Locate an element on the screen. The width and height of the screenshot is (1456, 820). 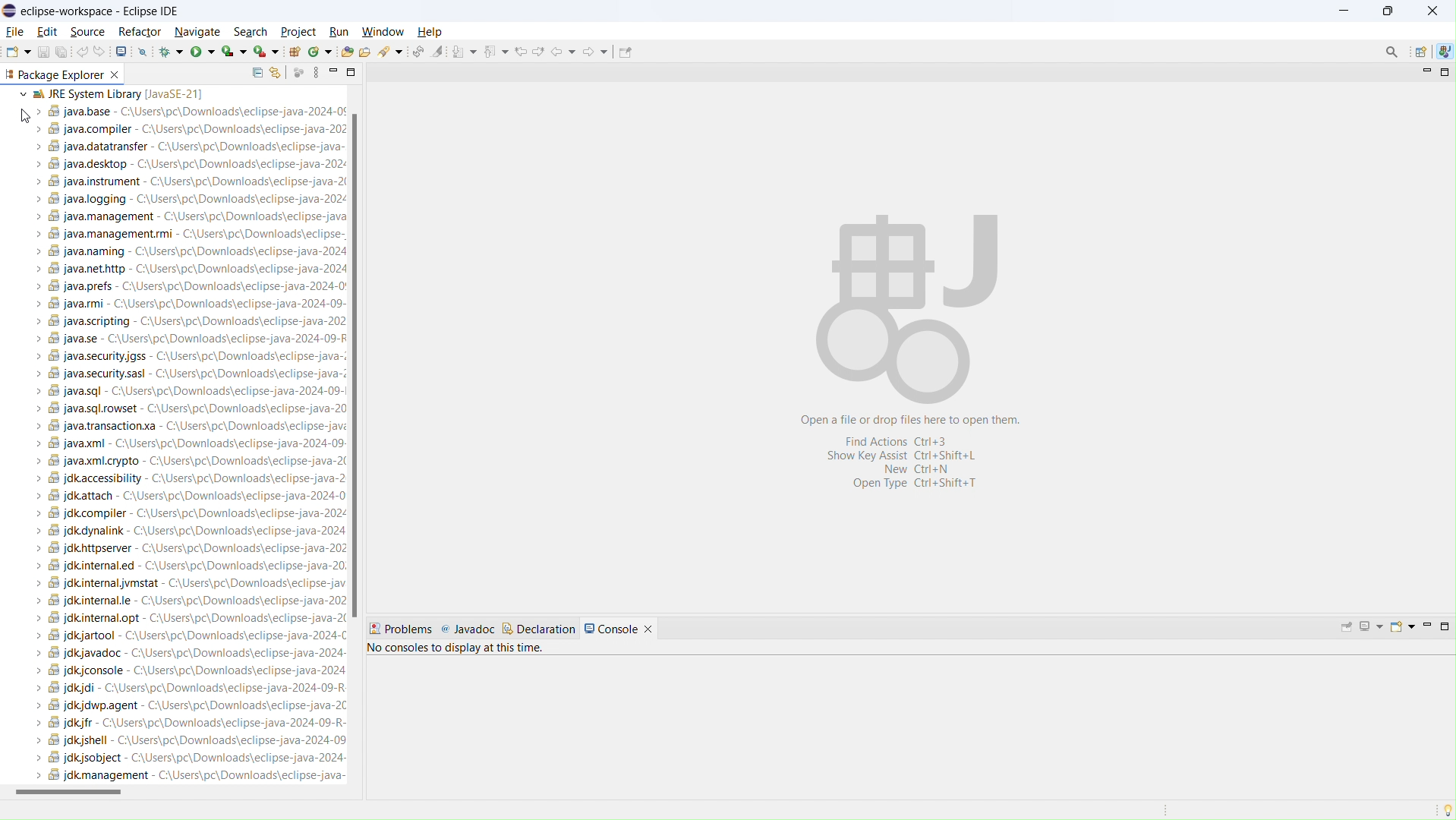
redo is located at coordinates (99, 51).